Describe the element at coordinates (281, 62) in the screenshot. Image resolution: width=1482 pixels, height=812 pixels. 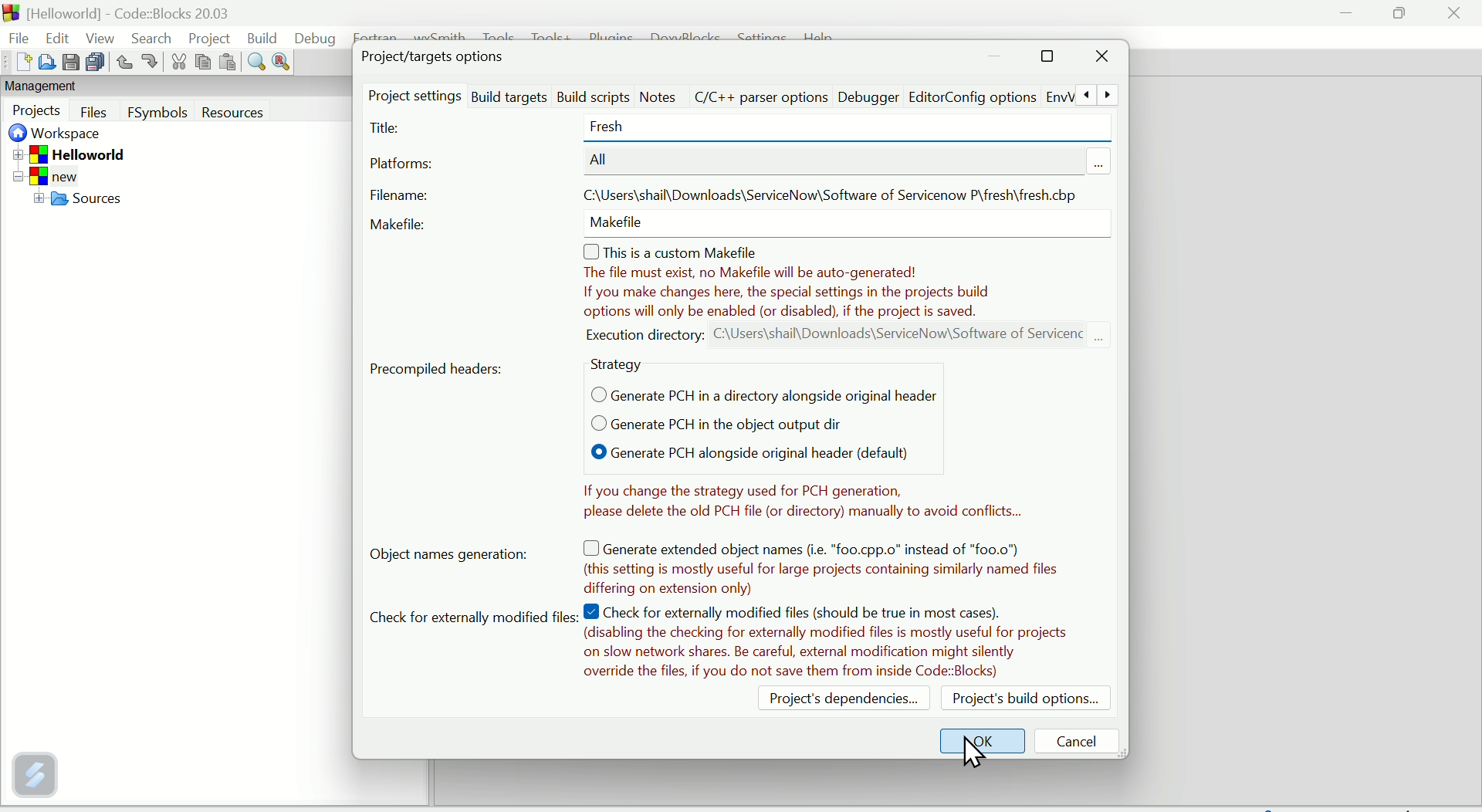
I see `Replace` at that location.